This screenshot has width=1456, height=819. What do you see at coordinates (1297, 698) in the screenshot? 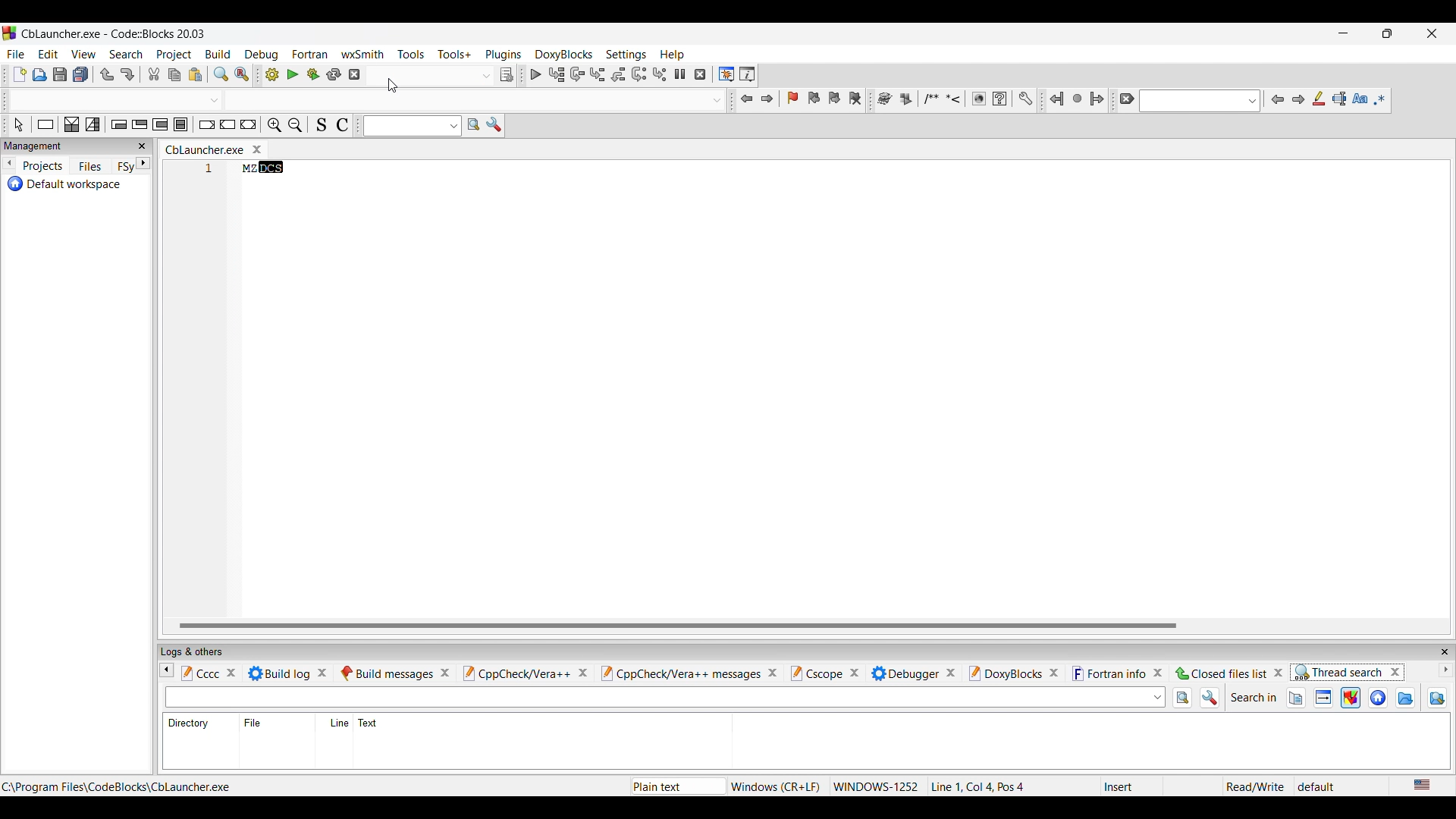
I see `Search in open files` at bounding box center [1297, 698].